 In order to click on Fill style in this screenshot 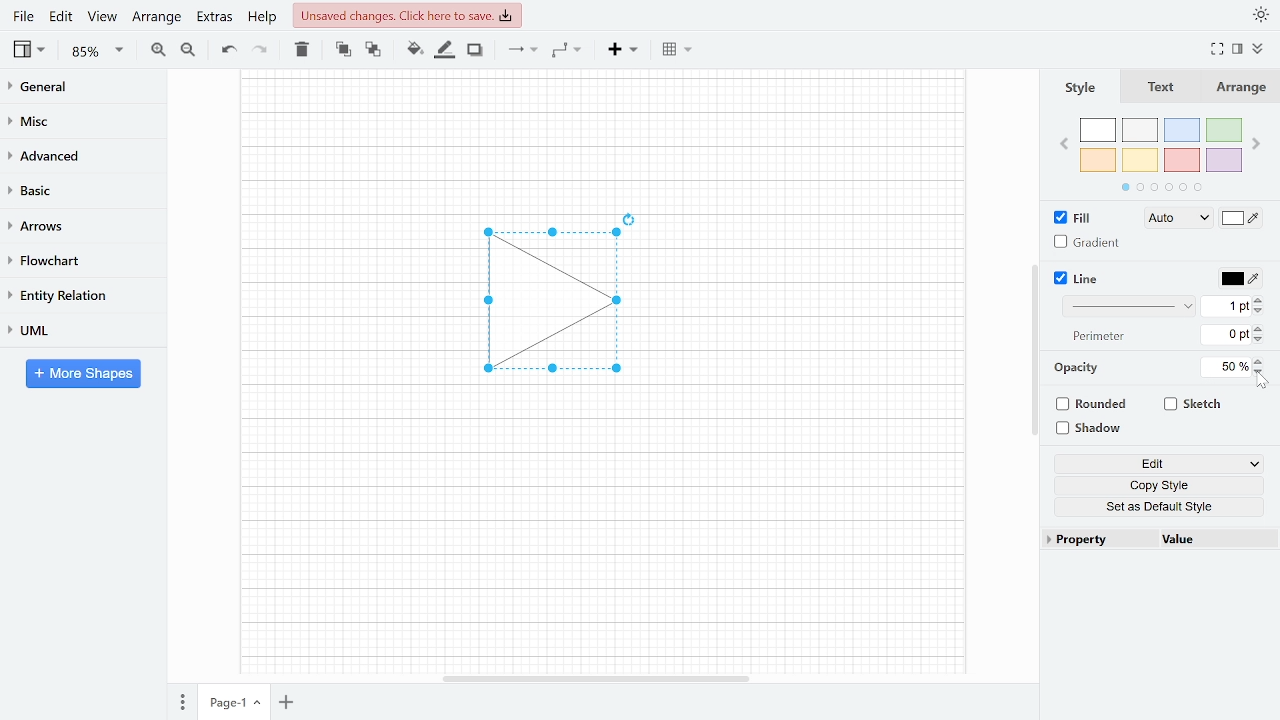, I will do `click(1174, 219)`.